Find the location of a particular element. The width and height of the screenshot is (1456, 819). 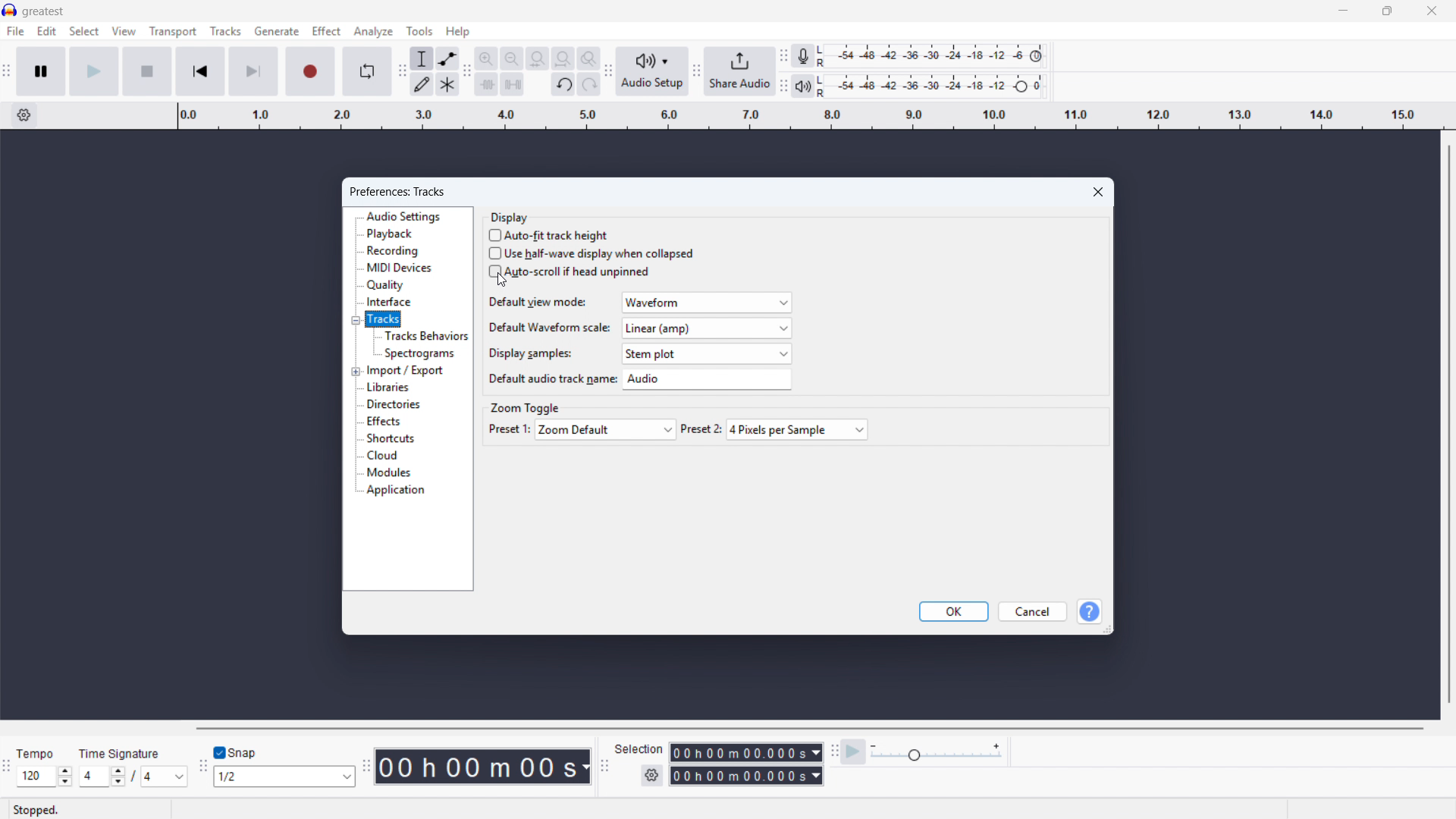

undo is located at coordinates (564, 84).